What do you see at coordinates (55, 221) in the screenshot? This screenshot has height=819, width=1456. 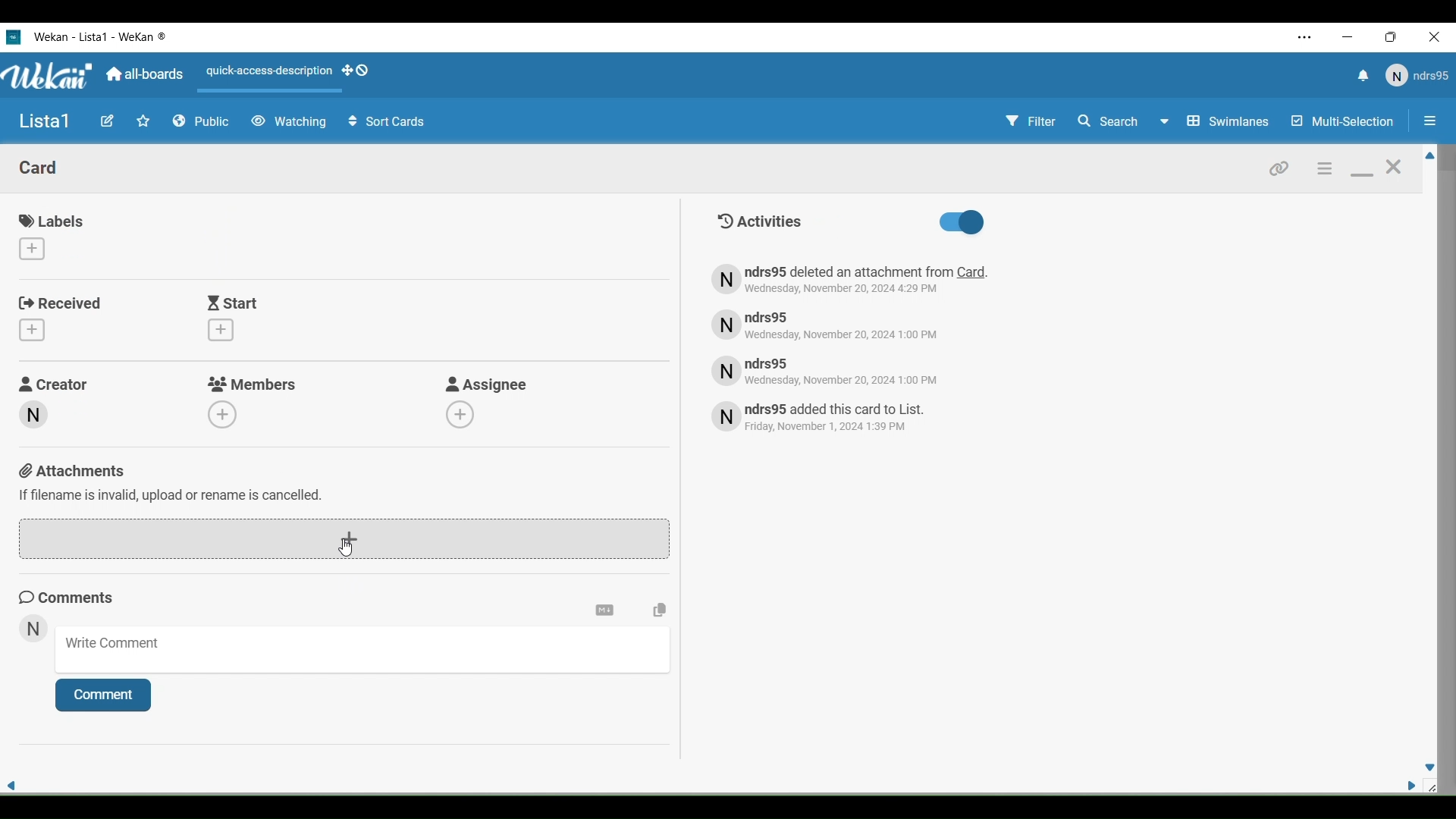 I see `Labels` at bounding box center [55, 221].